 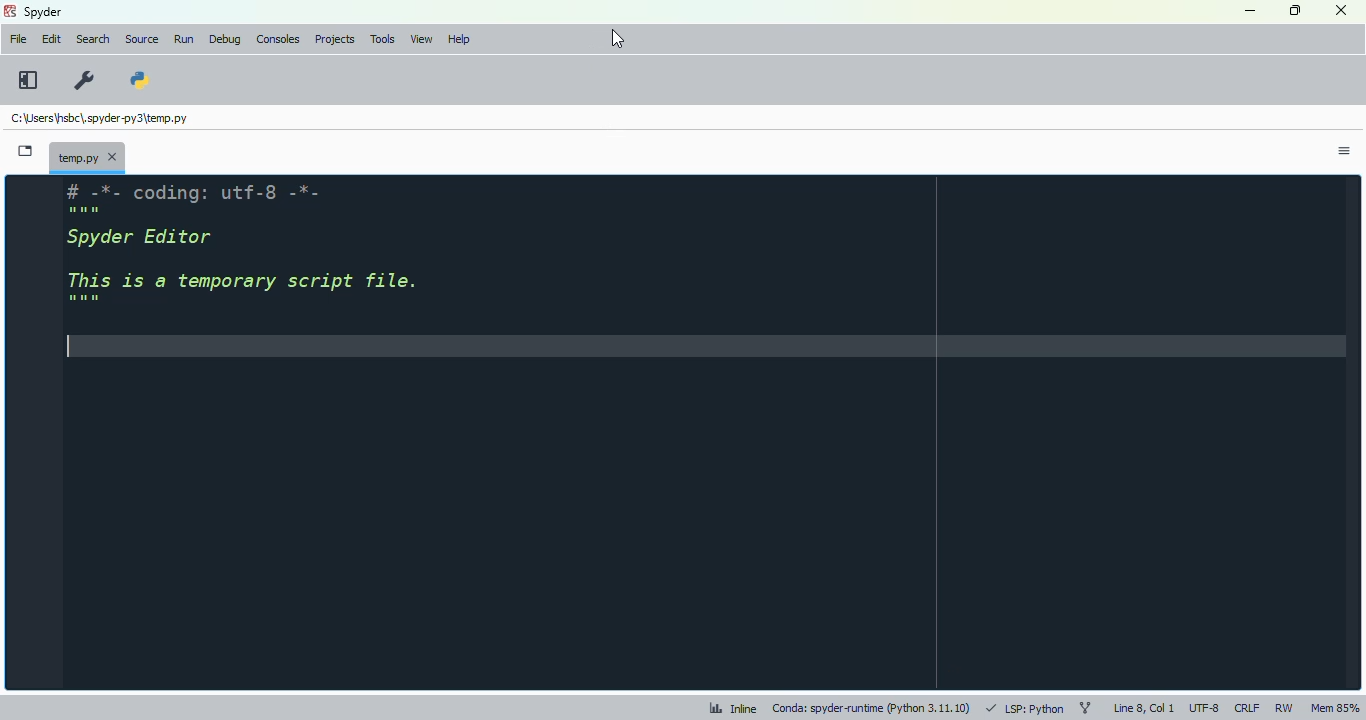 I want to click on minimize, so click(x=1252, y=11).